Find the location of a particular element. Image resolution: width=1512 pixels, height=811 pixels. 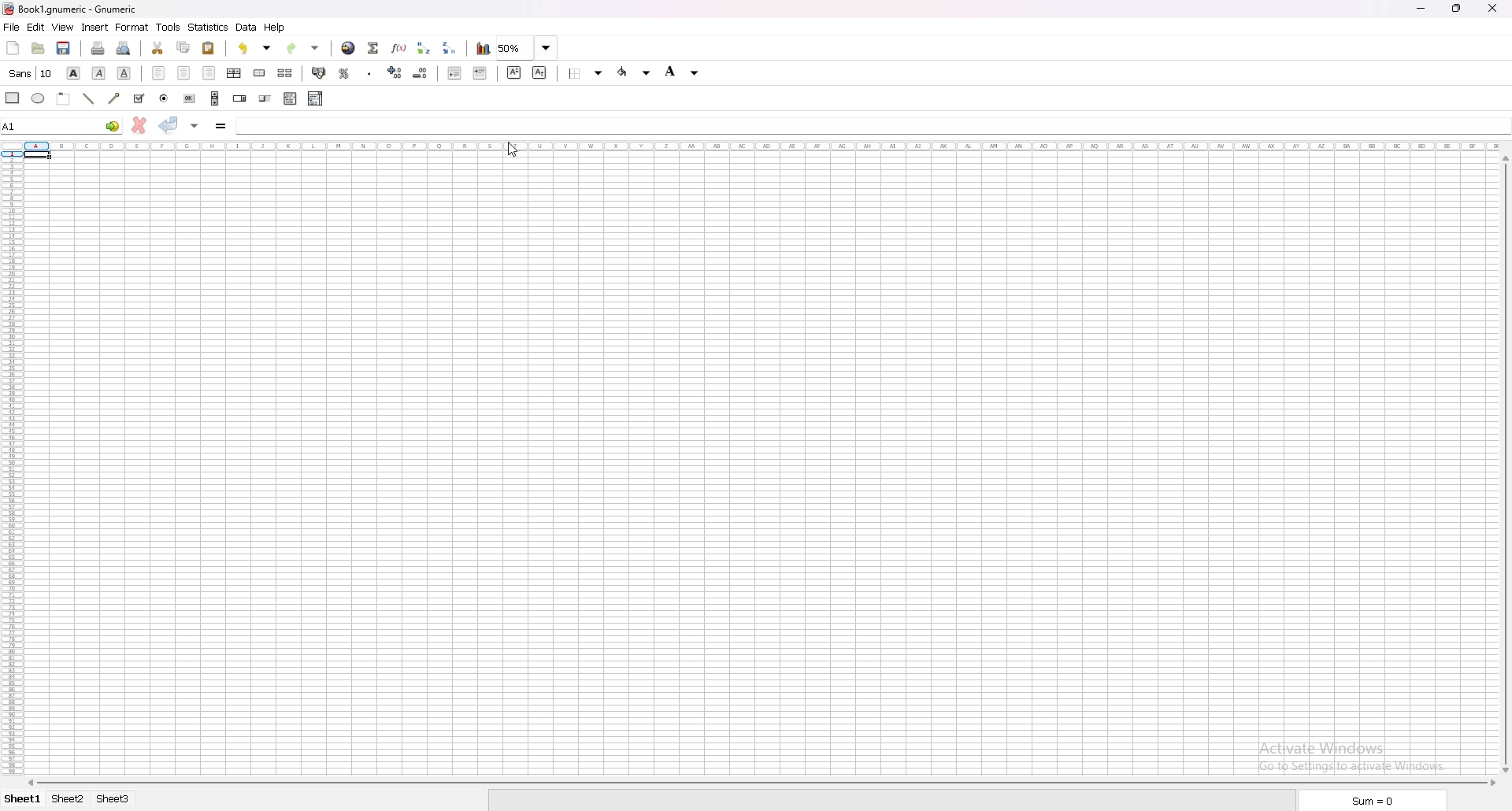

scroll bar is located at coordinates (762, 783).